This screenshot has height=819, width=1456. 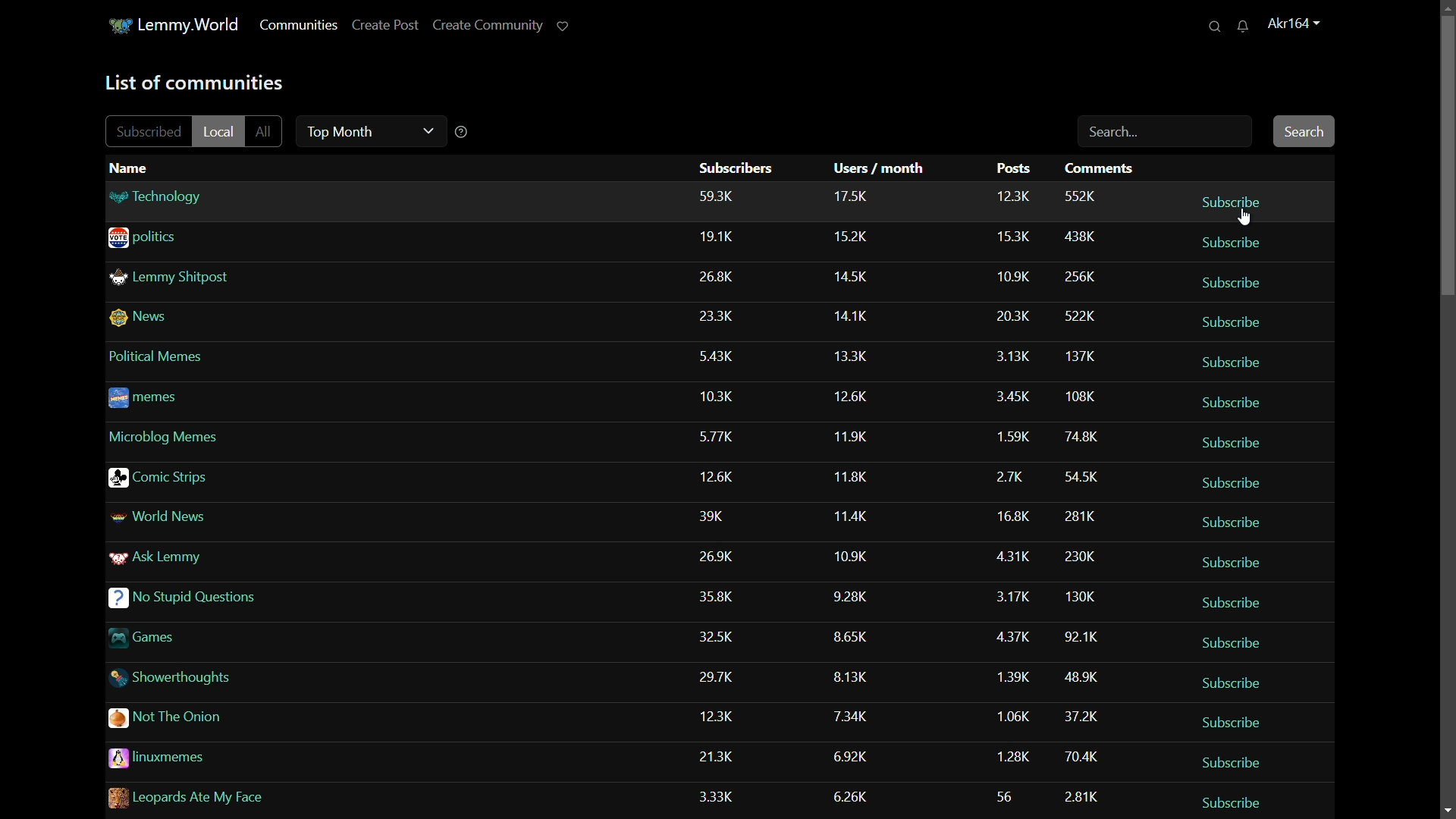 I want to click on comments, so click(x=1104, y=169).